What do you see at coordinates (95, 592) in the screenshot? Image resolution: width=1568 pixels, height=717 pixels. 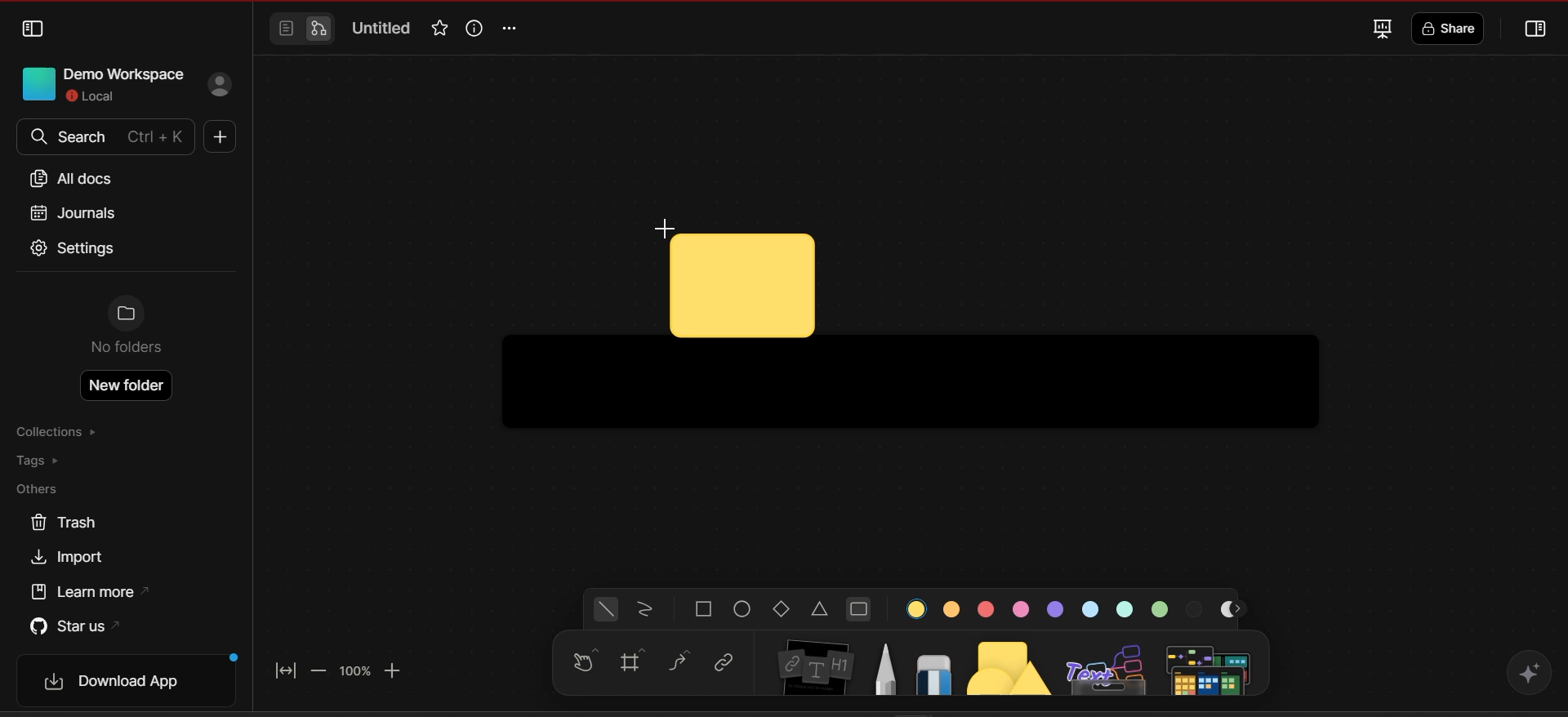 I see `learn more` at bounding box center [95, 592].